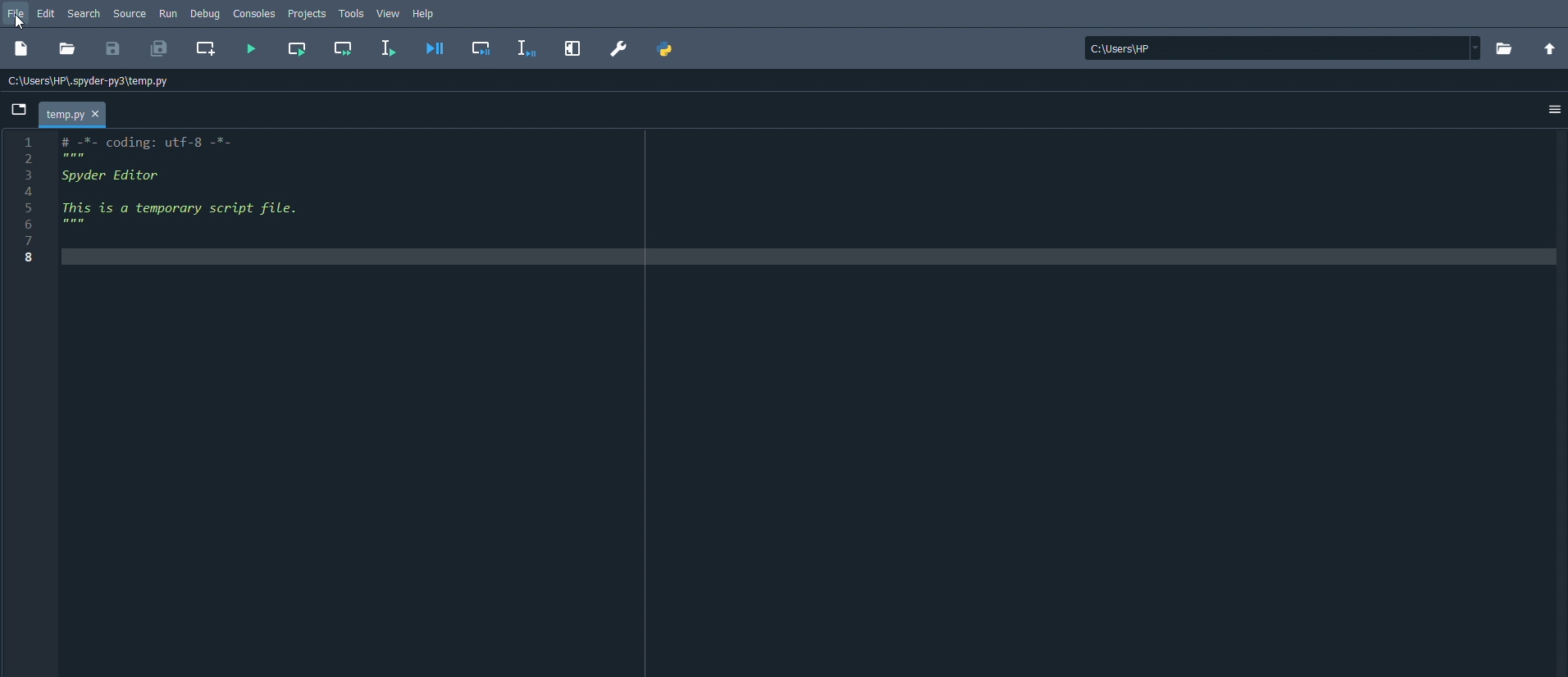  What do you see at coordinates (485, 47) in the screenshot?
I see `Debug cell` at bounding box center [485, 47].